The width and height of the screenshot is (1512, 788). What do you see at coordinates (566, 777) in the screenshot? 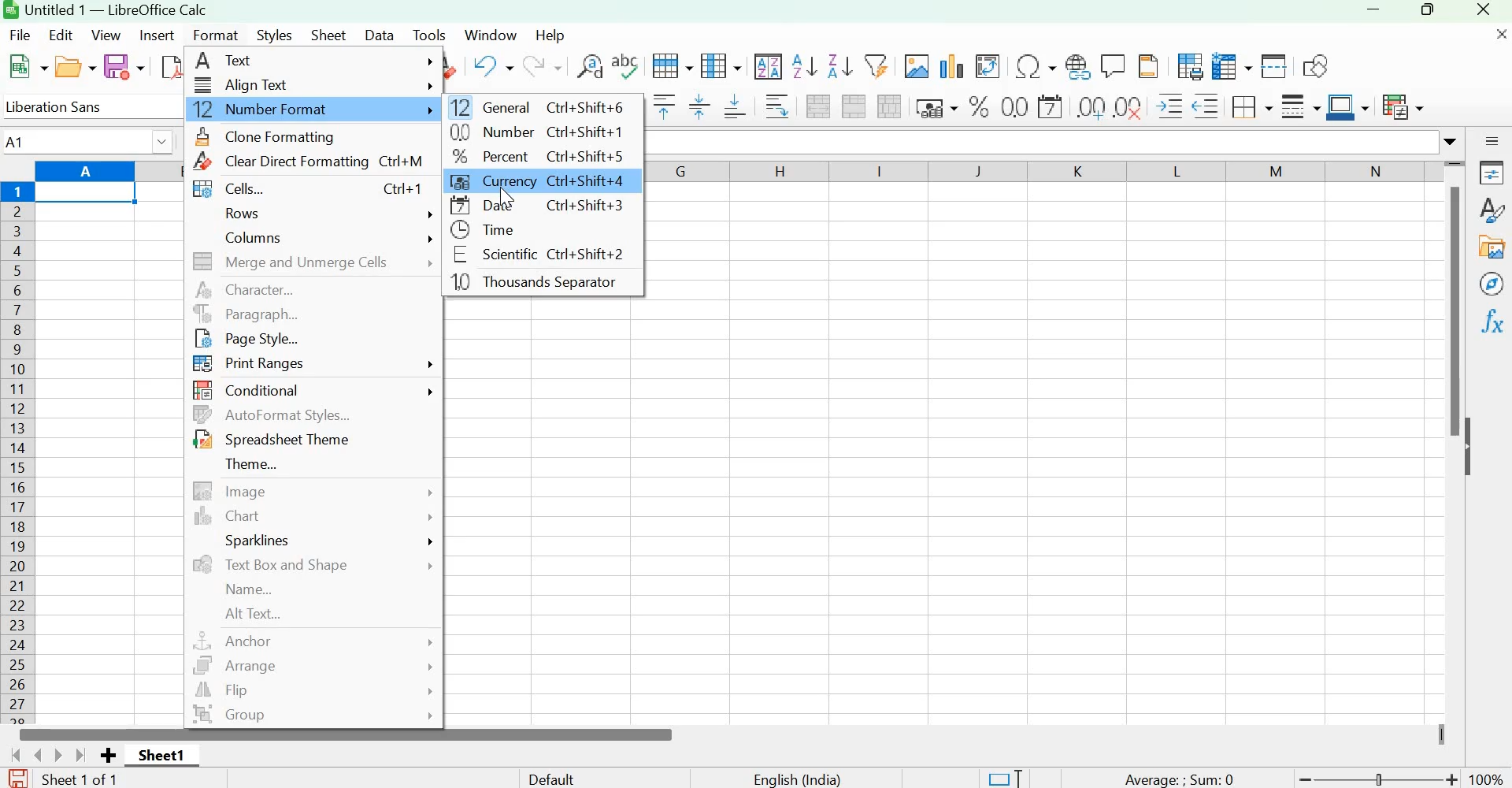
I see `Default` at bounding box center [566, 777].